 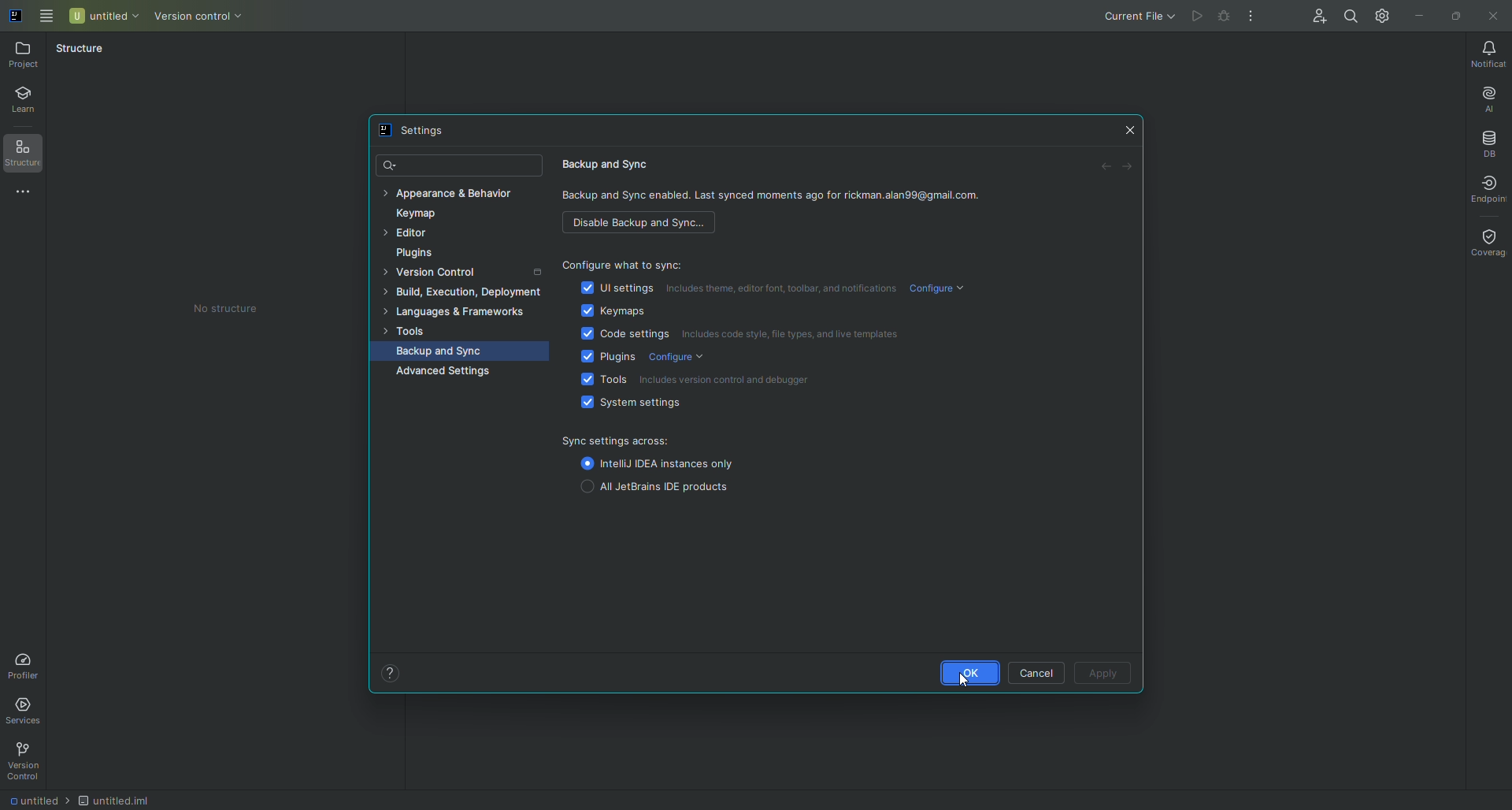 I want to click on IntelliJ IDEA instances only, so click(x=660, y=464).